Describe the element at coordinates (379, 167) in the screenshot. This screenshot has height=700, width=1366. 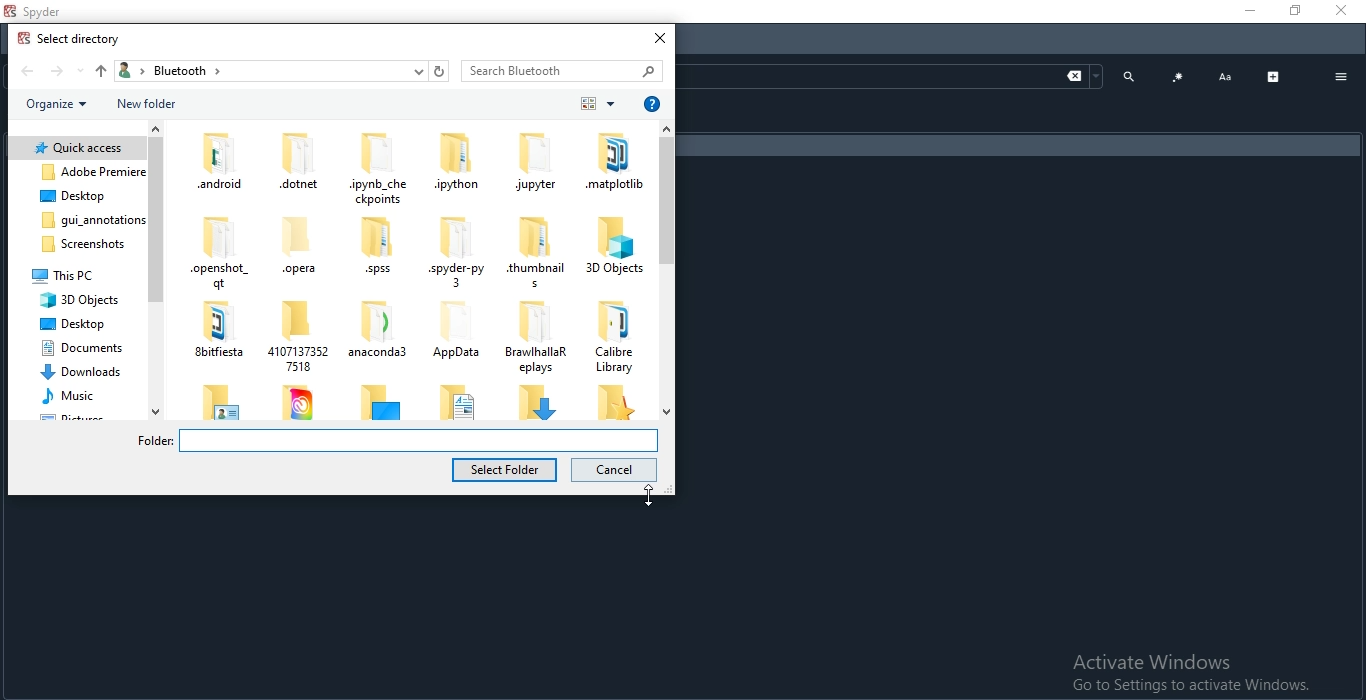
I see `folder` at that location.